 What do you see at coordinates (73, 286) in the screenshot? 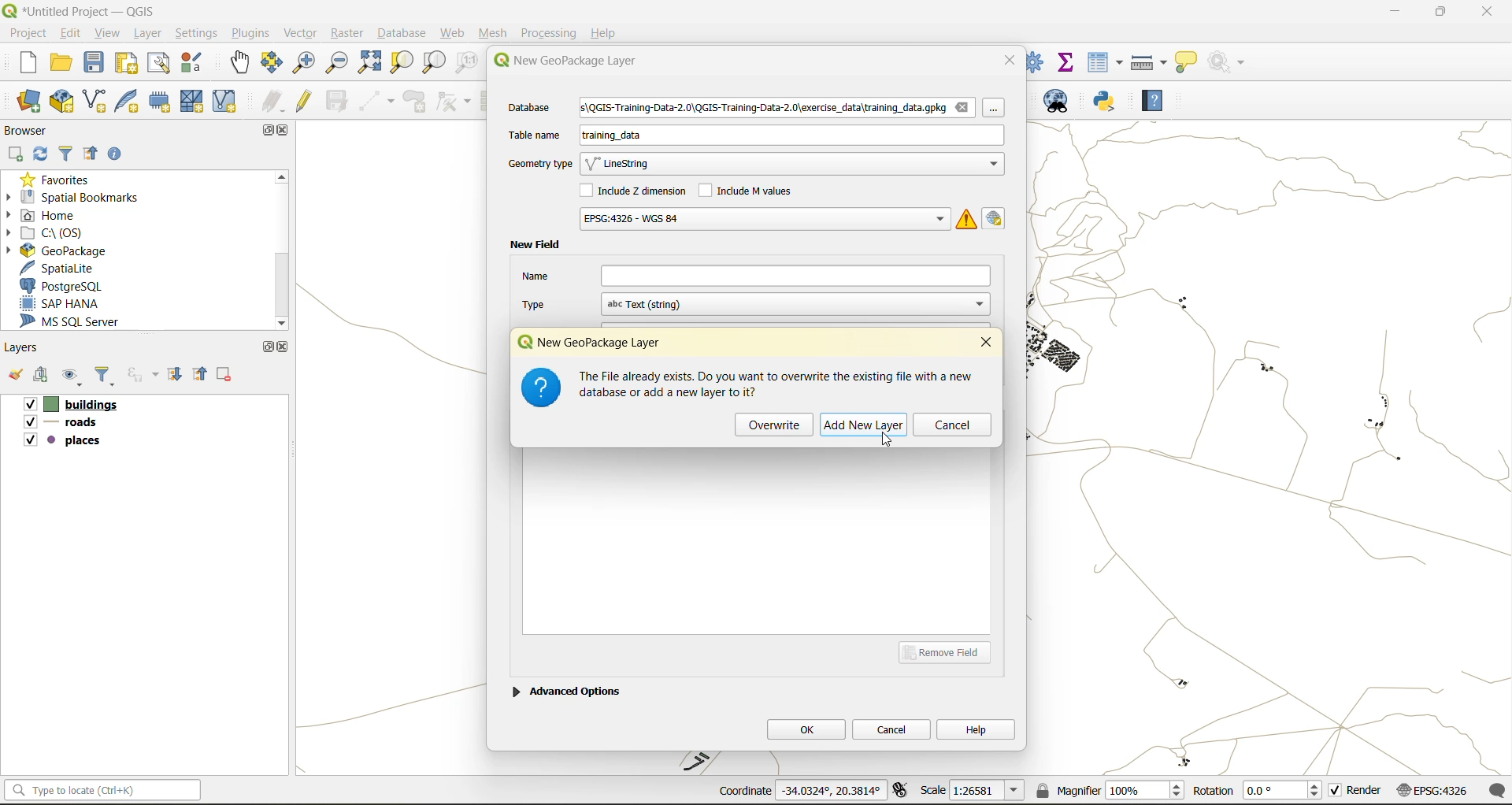
I see `postgresql` at bounding box center [73, 286].